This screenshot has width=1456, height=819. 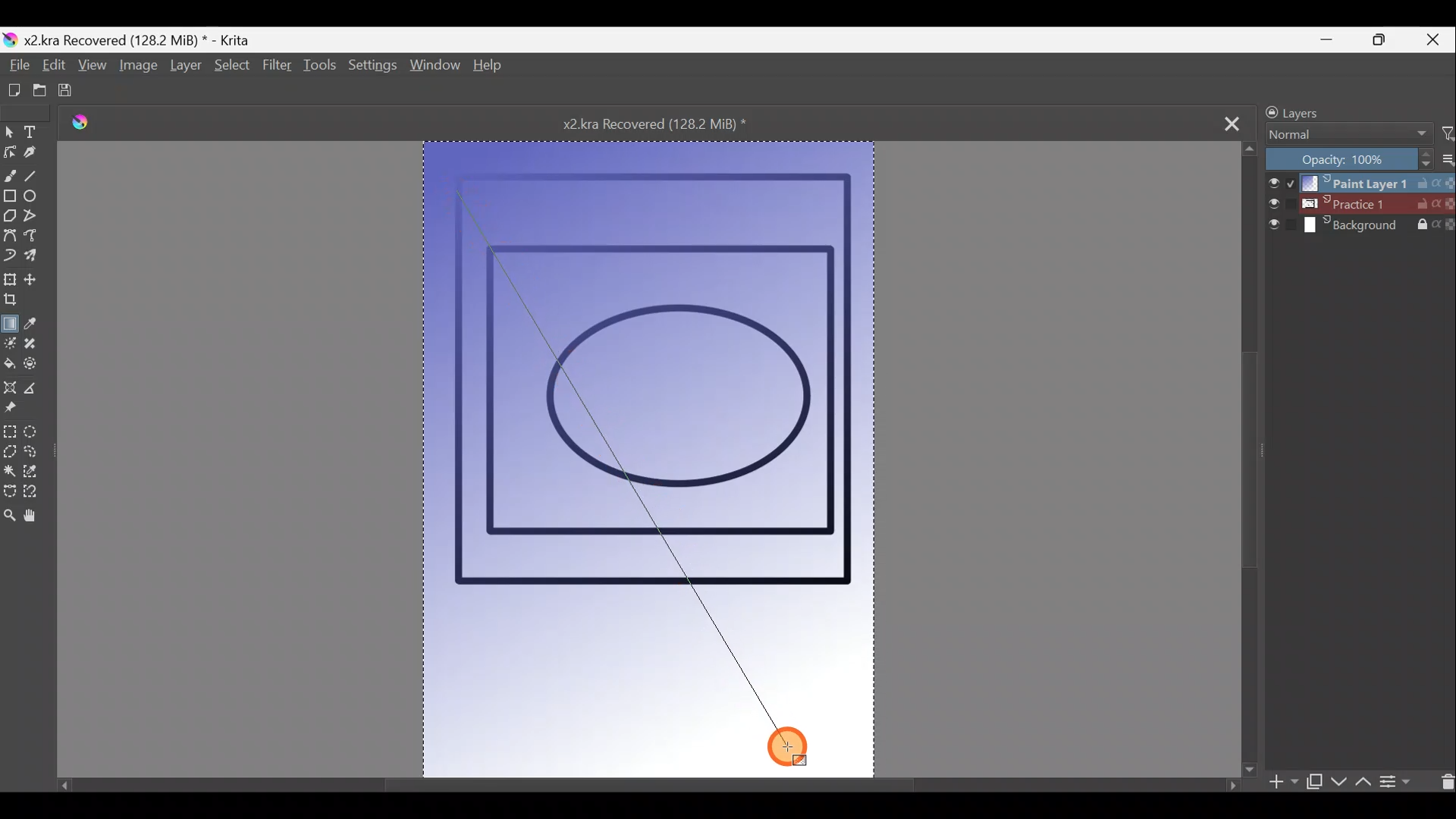 What do you see at coordinates (34, 178) in the screenshot?
I see `Line tool` at bounding box center [34, 178].